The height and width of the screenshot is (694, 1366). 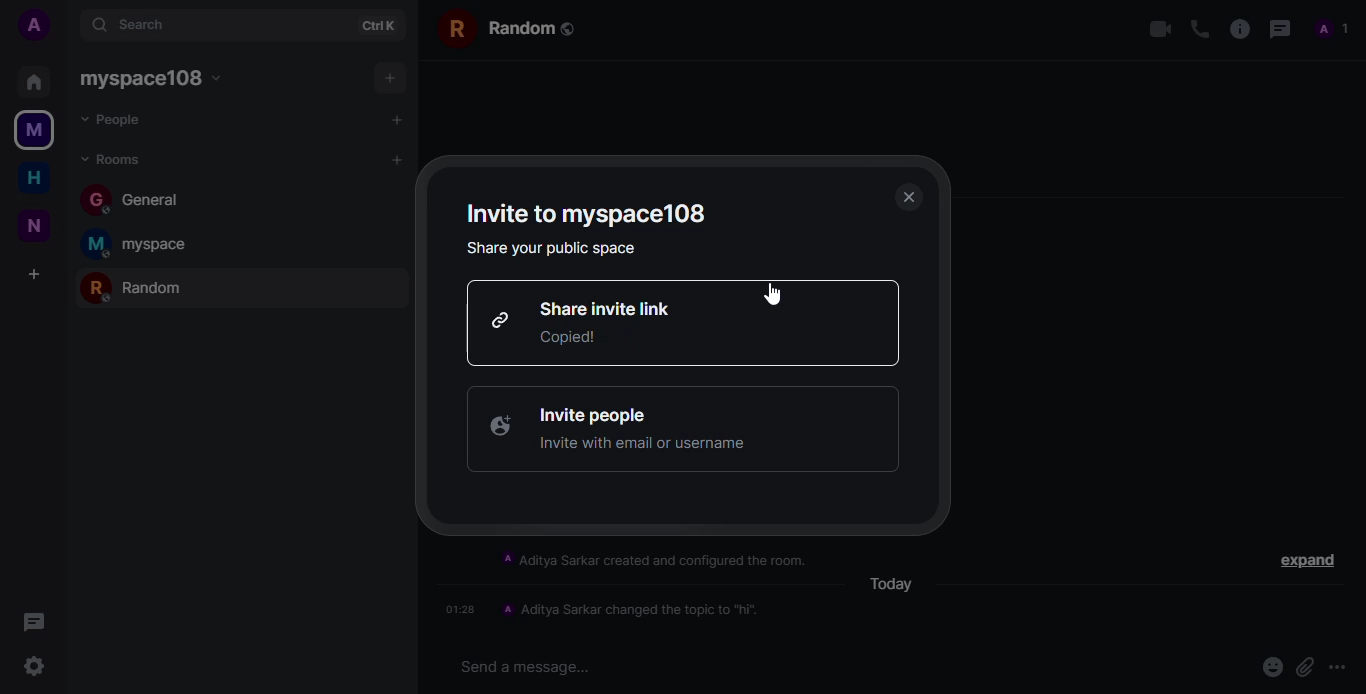 I want to click on add, so click(x=396, y=118).